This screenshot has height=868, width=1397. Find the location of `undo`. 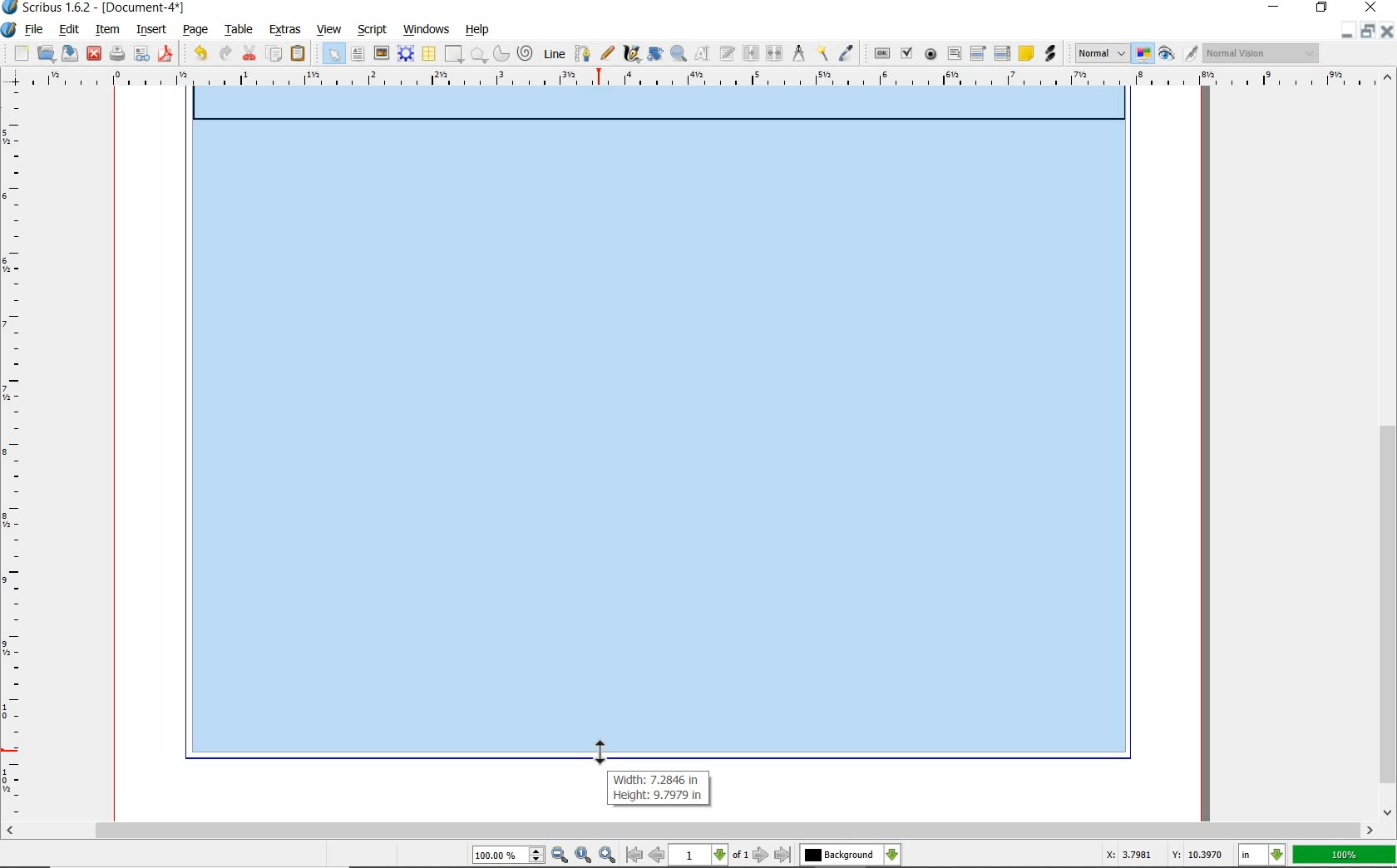

undo is located at coordinates (198, 53).